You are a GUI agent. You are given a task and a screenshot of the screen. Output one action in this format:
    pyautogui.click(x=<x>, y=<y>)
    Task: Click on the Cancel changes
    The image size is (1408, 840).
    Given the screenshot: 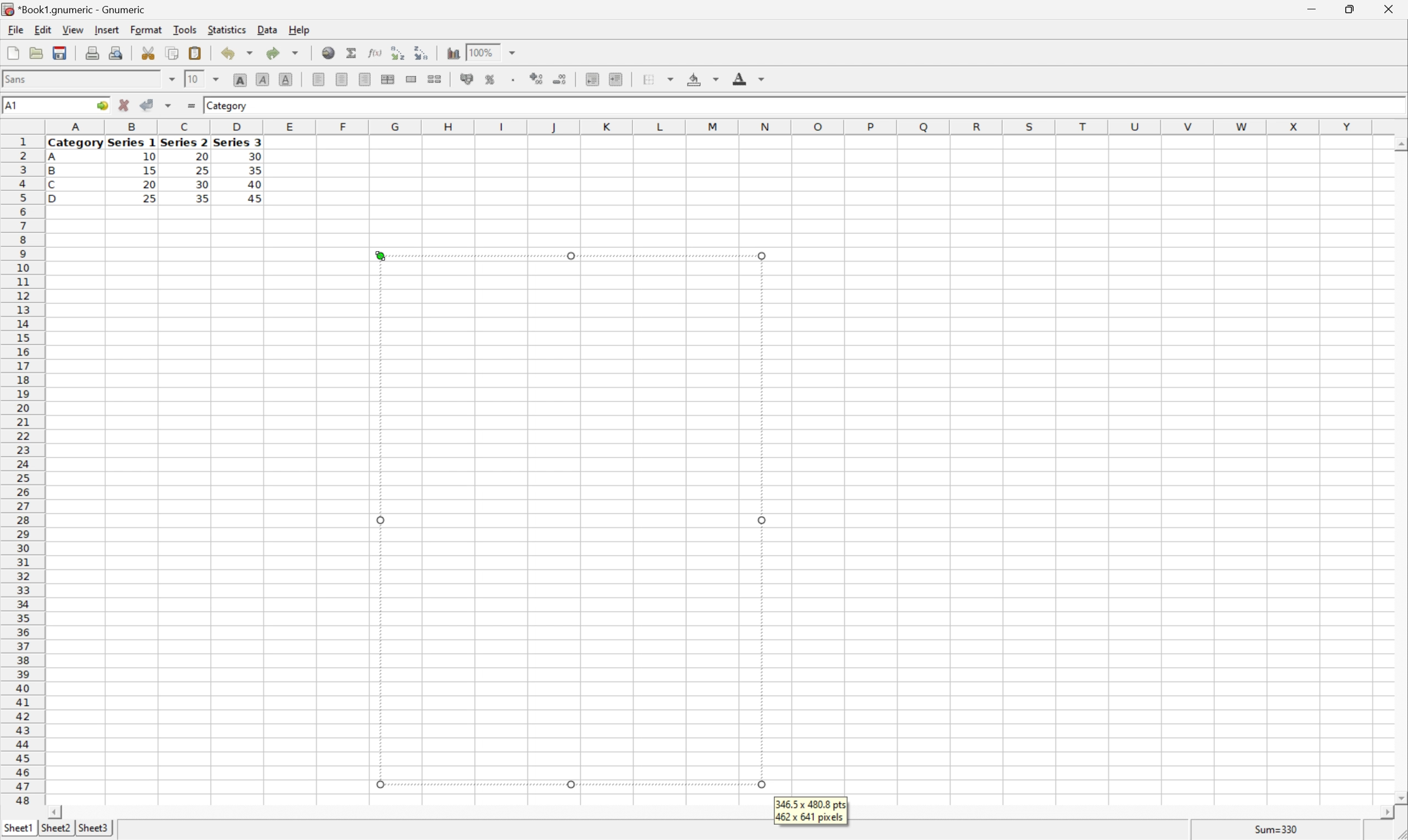 What is the action you would take?
    pyautogui.click(x=124, y=103)
    